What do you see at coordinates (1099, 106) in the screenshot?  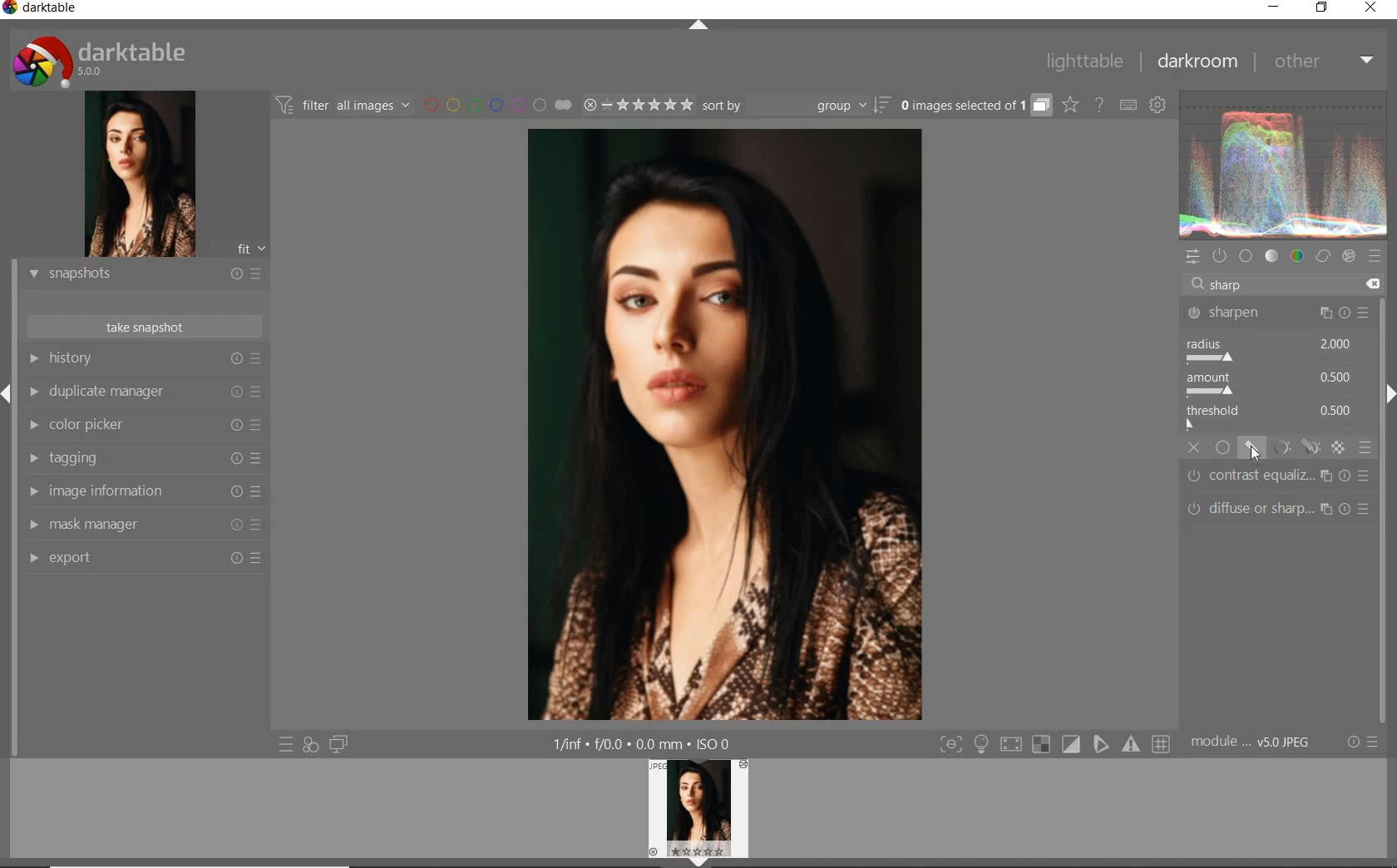 I see `enable online help` at bounding box center [1099, 106].